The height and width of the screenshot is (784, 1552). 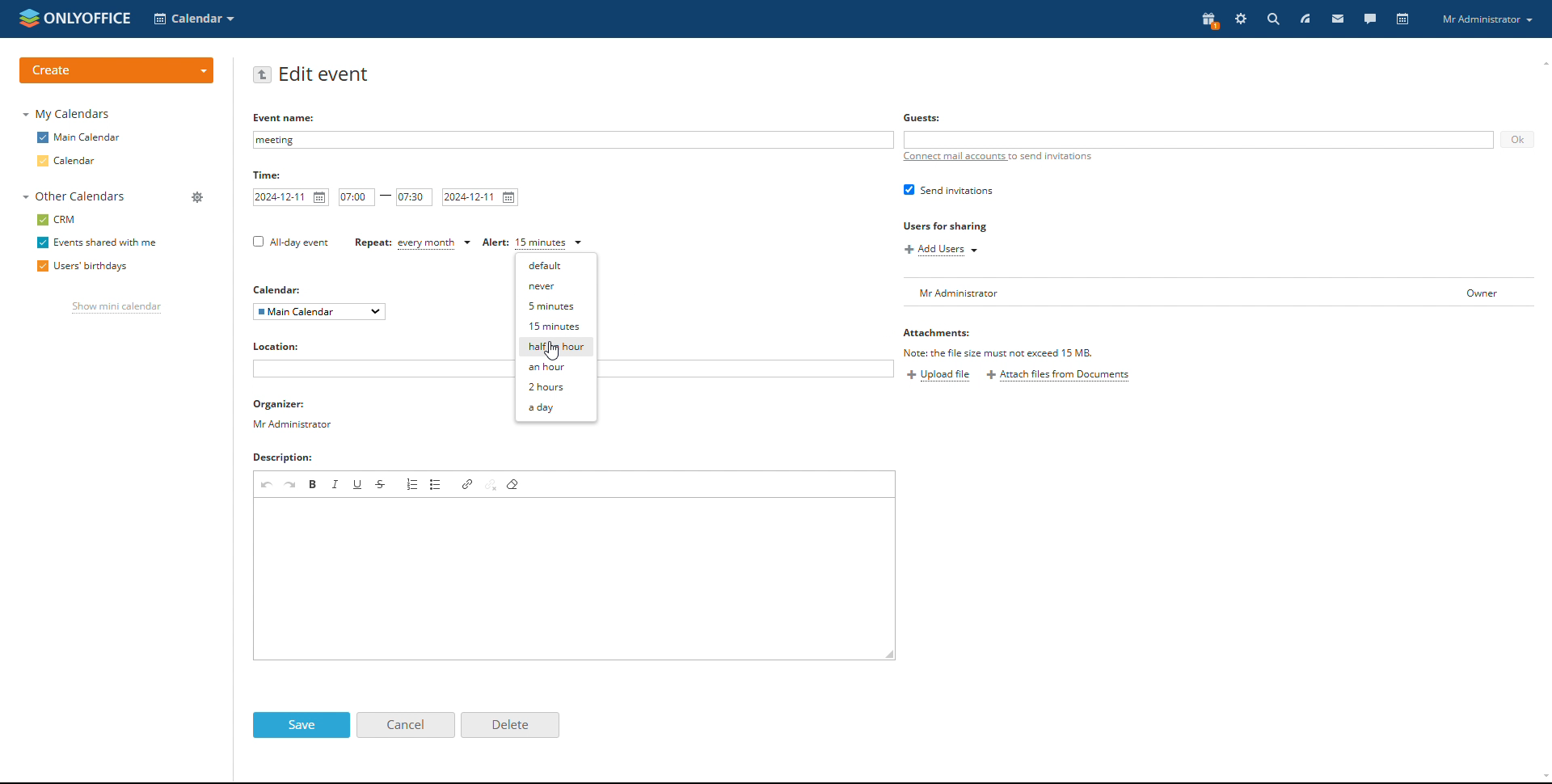 I want to click on my calendars, so click(x=67, y=115).